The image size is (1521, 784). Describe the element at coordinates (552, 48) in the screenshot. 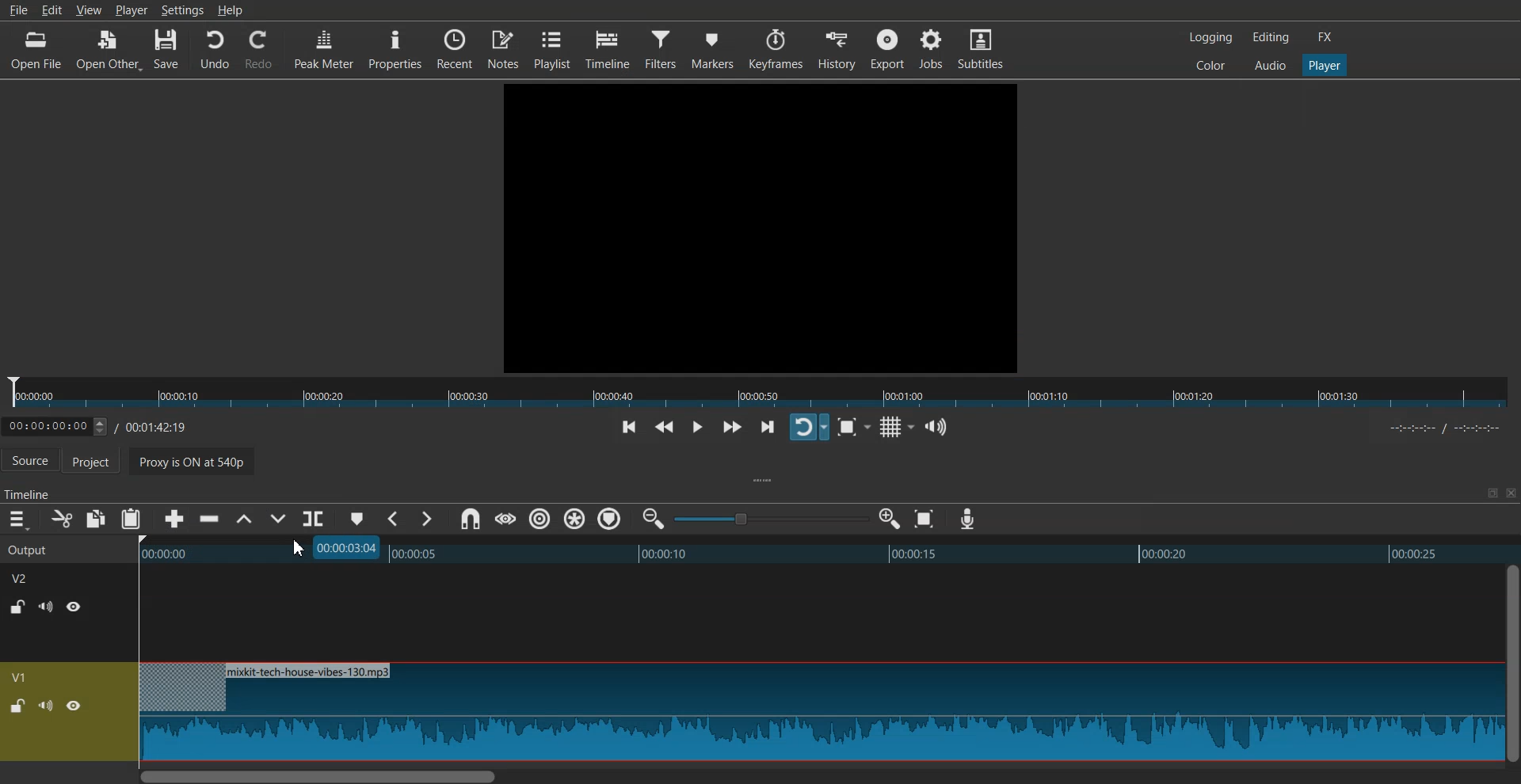

I see `Playlist` at that location.